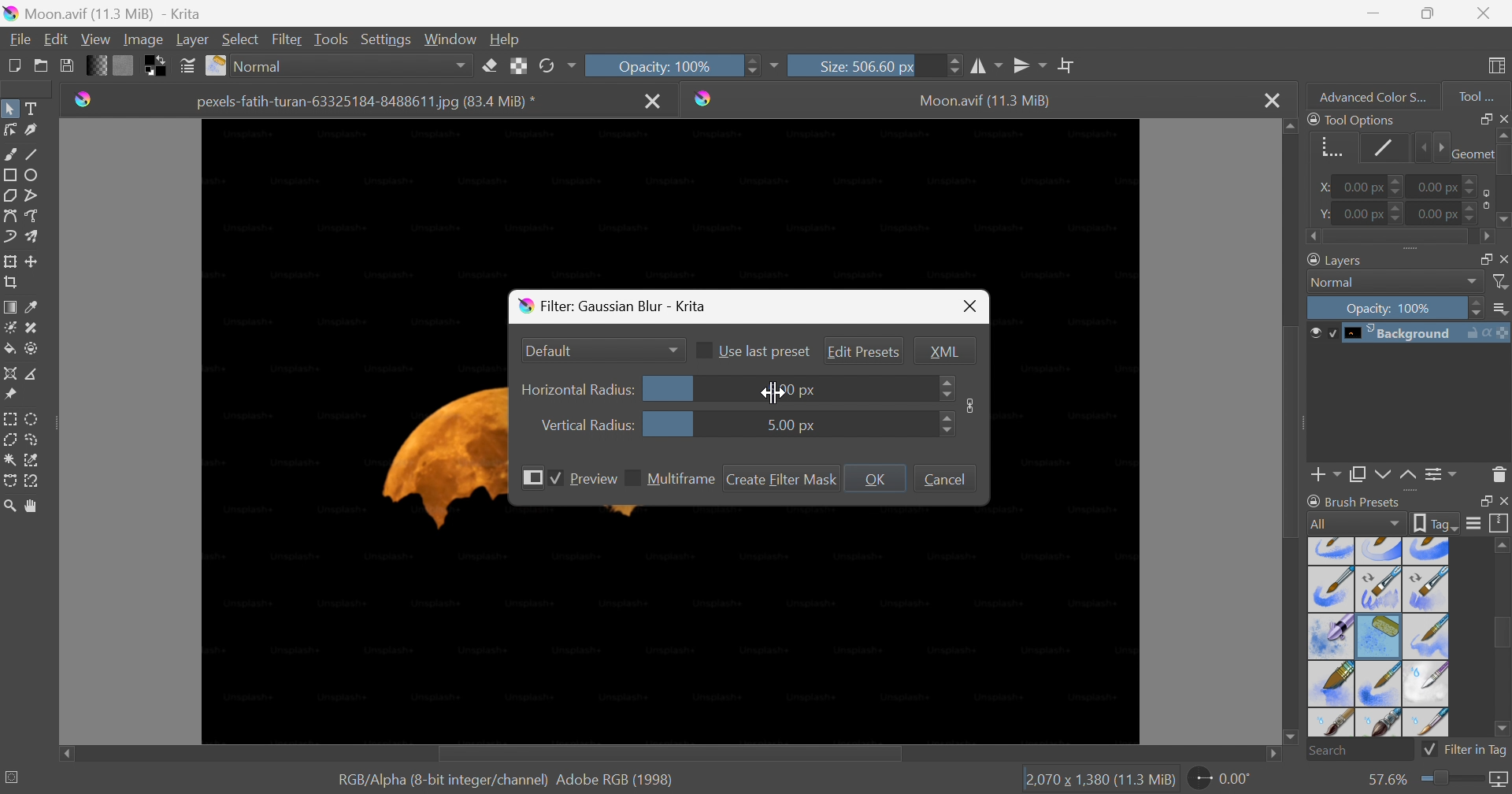 The width and height of the screenshot is (1512, 794). What do you see at coordinates (10, 440) in the screenshot?
I see `Polygonal selection tool` at bounding box center [10, 440].